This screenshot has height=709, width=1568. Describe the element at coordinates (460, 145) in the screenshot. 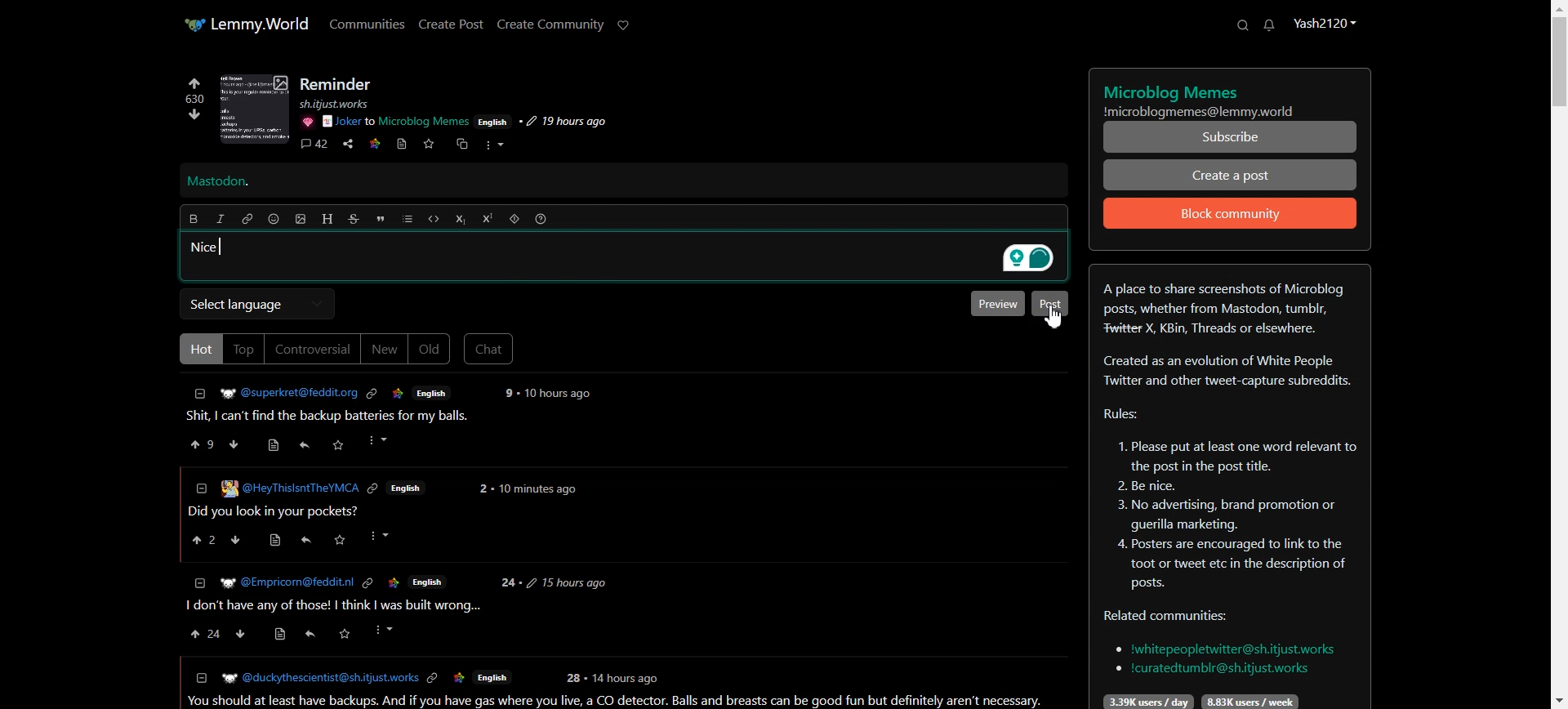

I see `Copy` at that location.